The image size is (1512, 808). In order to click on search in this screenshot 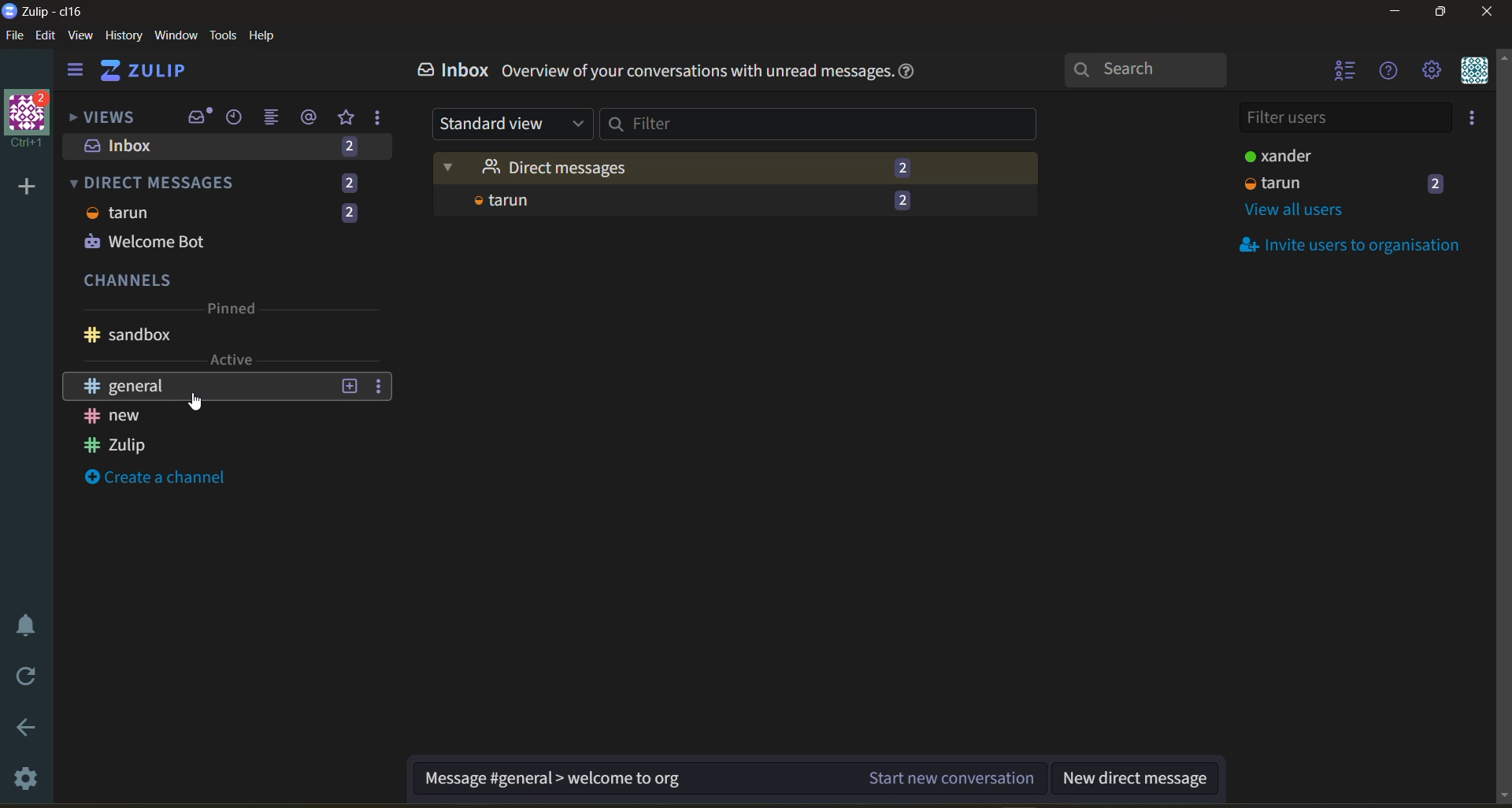, I will do `click(1160, 69)`.